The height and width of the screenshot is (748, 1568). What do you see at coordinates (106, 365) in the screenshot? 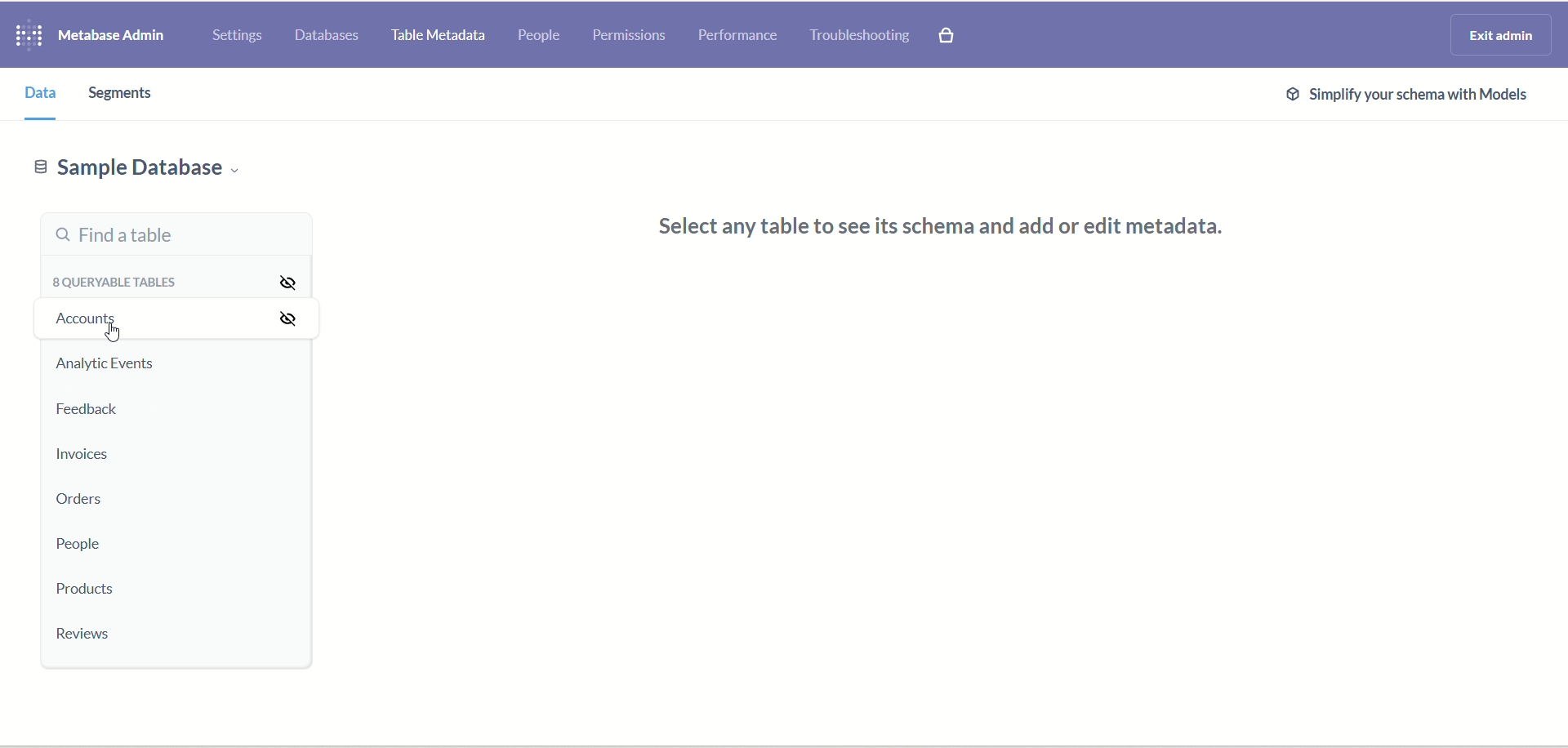
I see `analytic events` at bounding box center [106, 365].